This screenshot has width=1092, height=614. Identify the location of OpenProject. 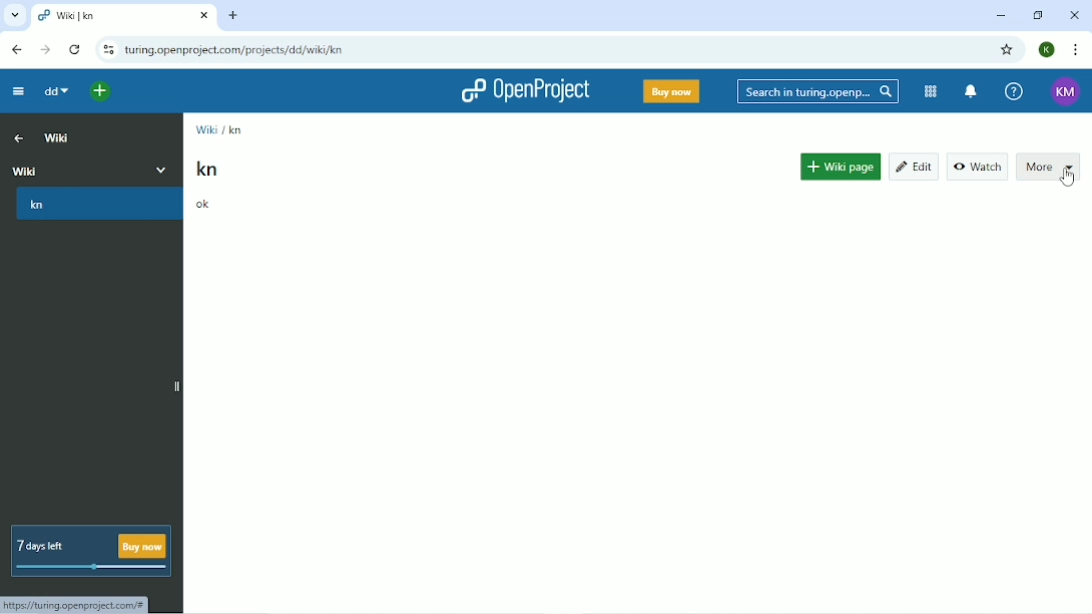
(521, 90).